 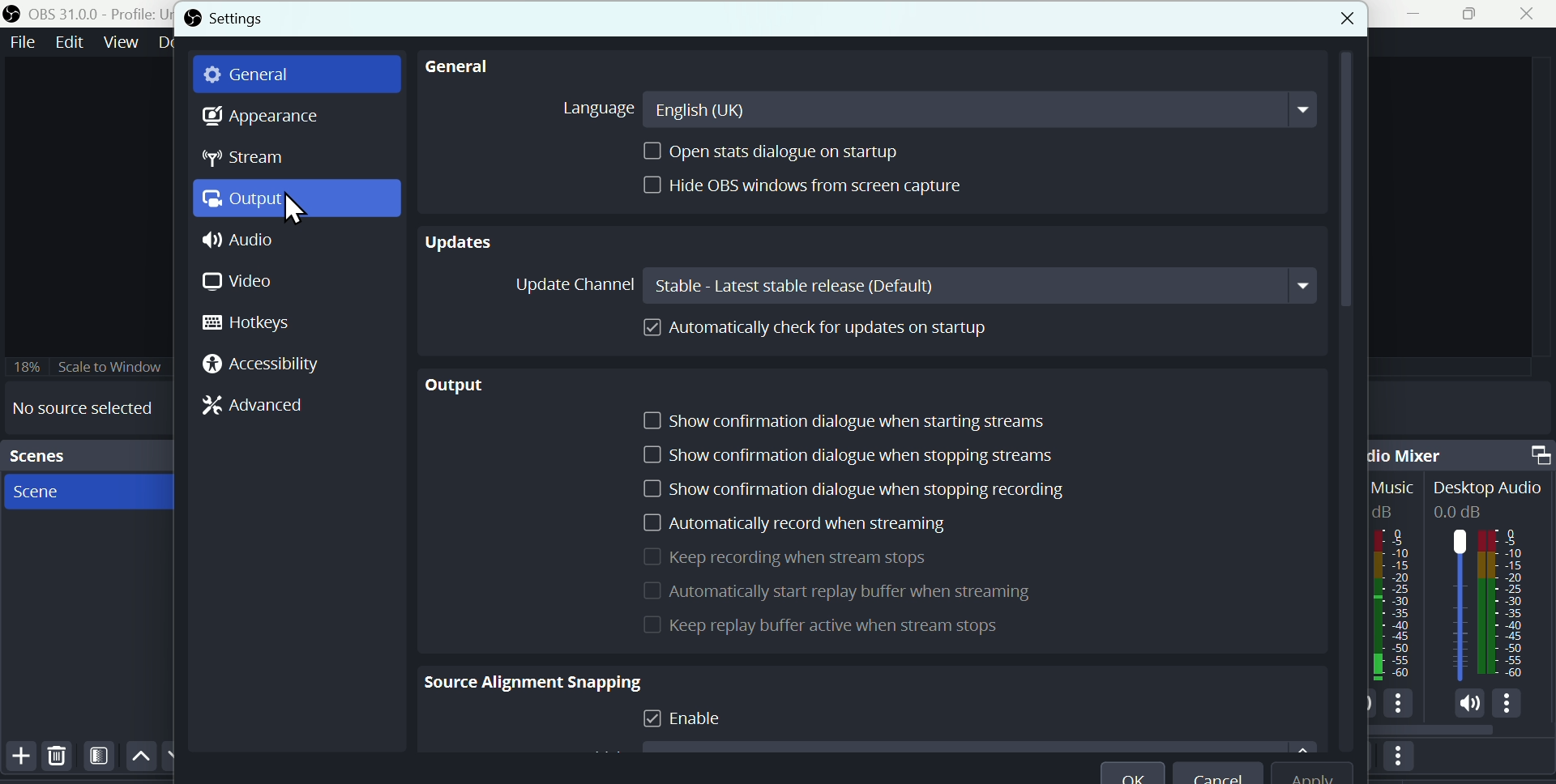 I want to click on Stream, so click(x=253, y=157).